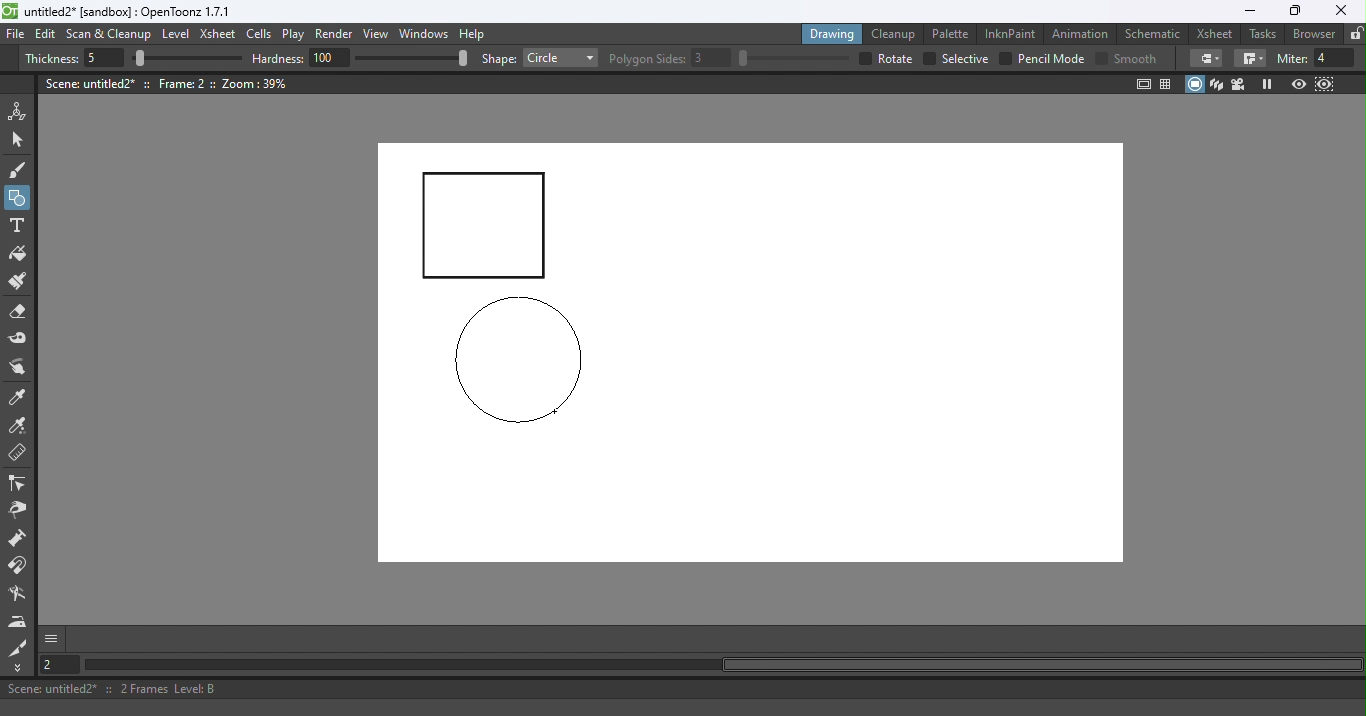  I want to click on checkbox, so click(863, 58).